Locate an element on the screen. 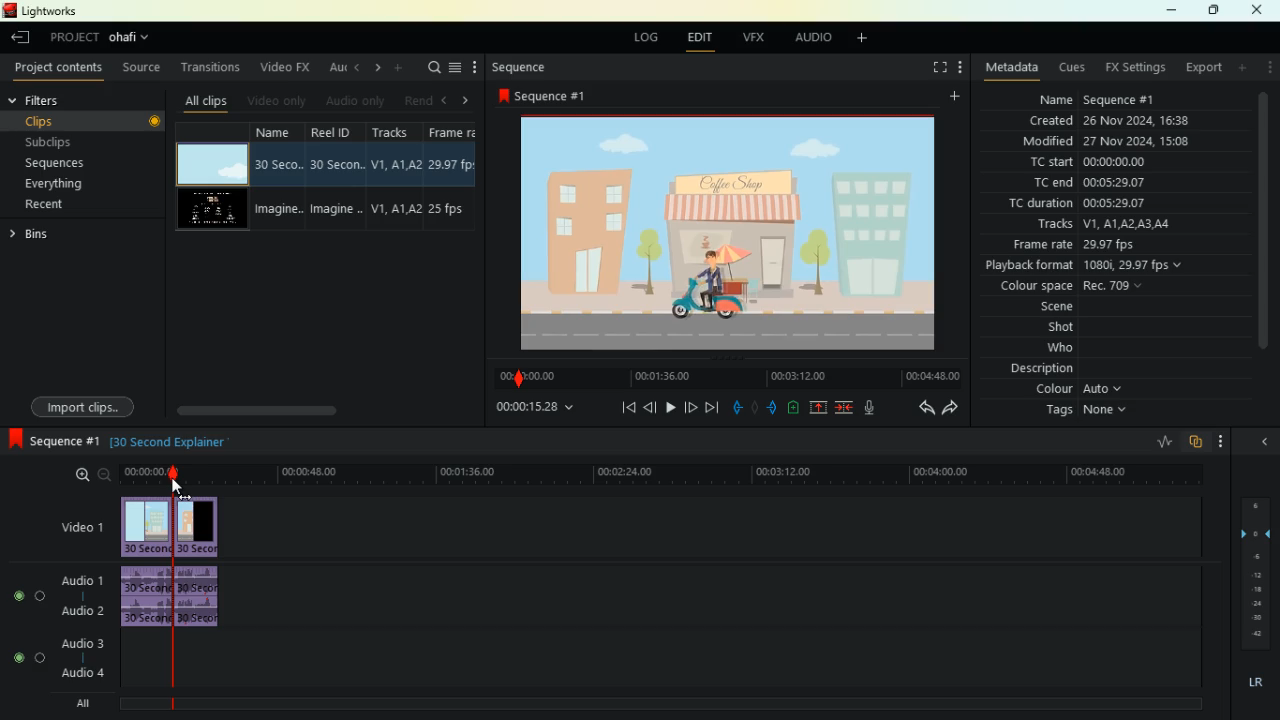 This screenshot has width=1280, height=720. lightworks is located at coordinates (43, 11).